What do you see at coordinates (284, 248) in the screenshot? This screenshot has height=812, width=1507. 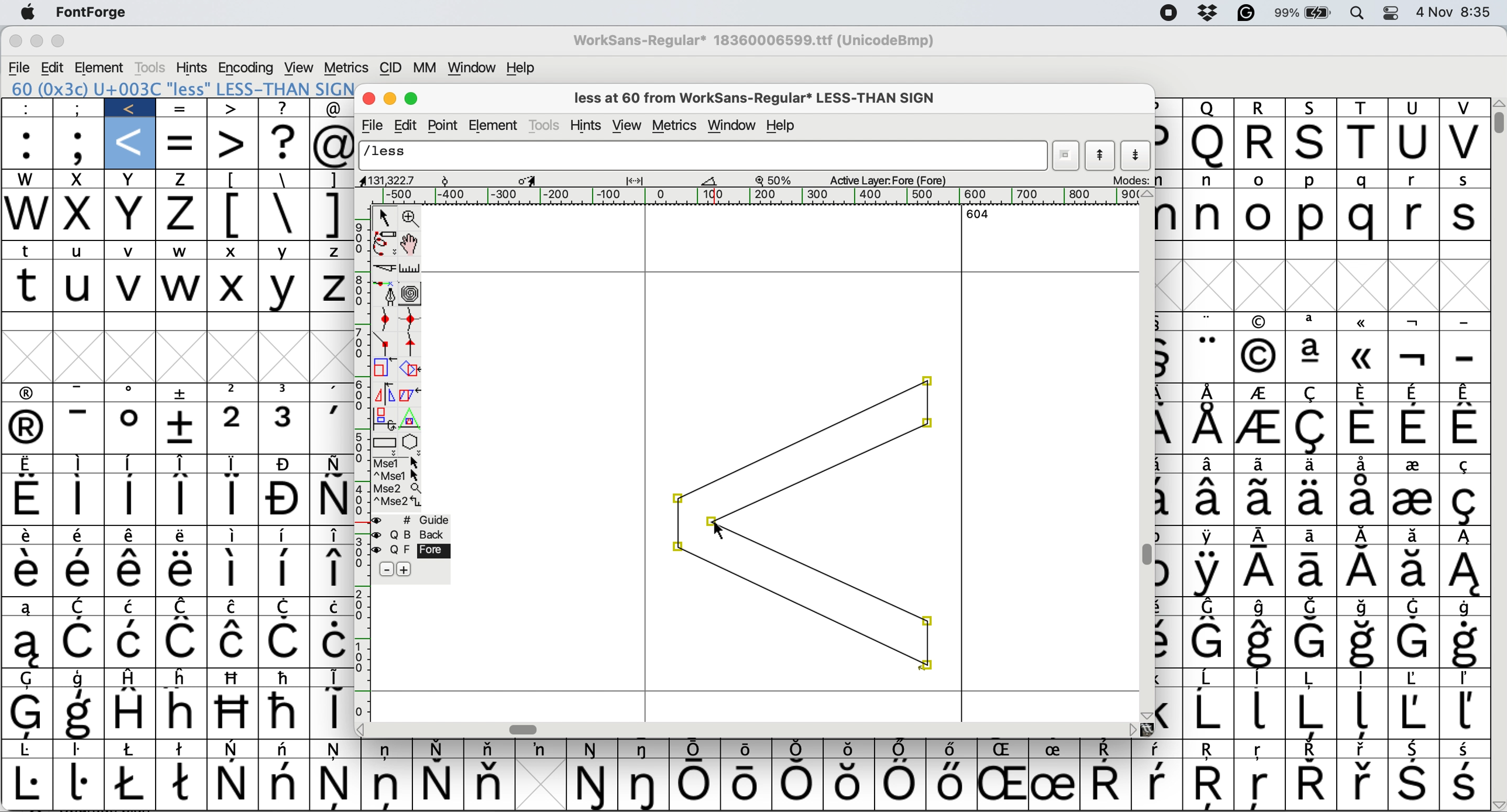 I see `Y` at bounding box center [284, 248].